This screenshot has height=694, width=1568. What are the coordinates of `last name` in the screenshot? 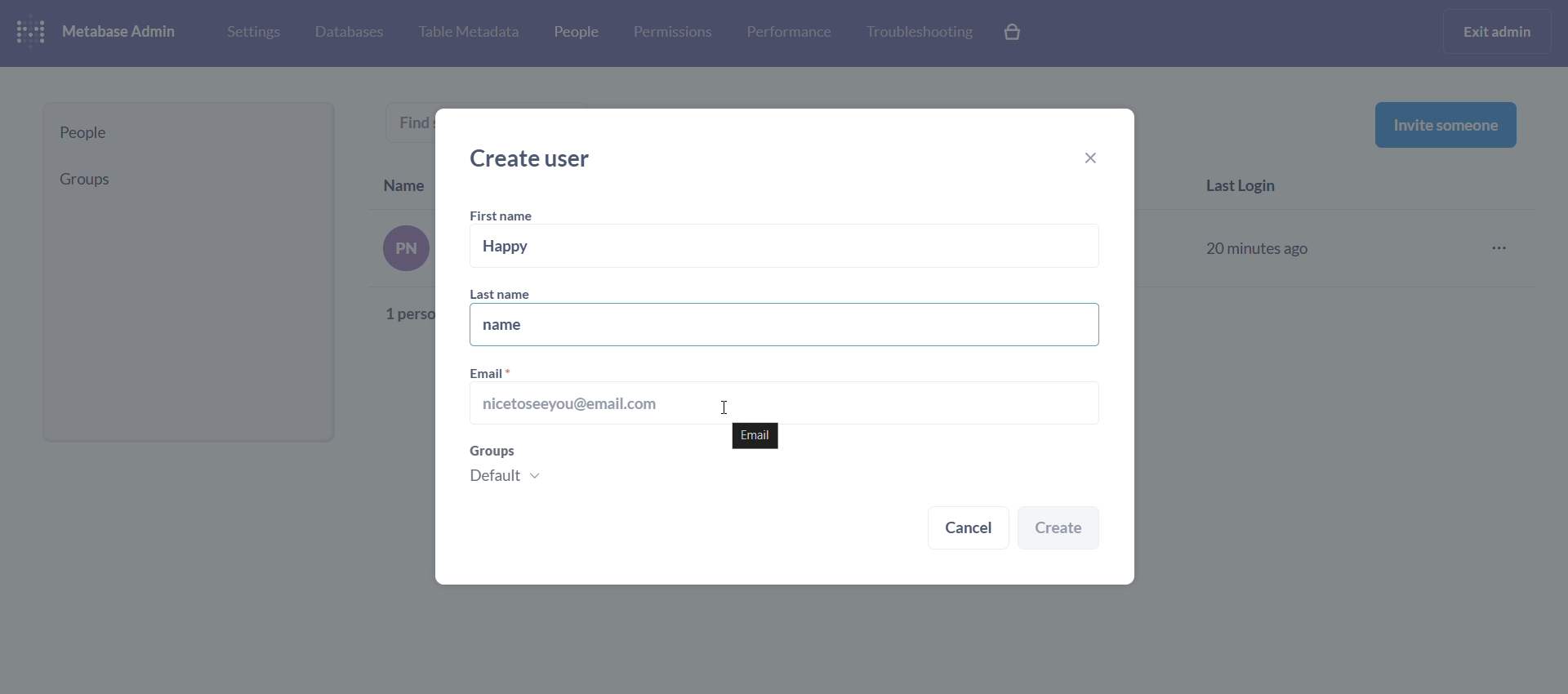 It's located at (515, 293).